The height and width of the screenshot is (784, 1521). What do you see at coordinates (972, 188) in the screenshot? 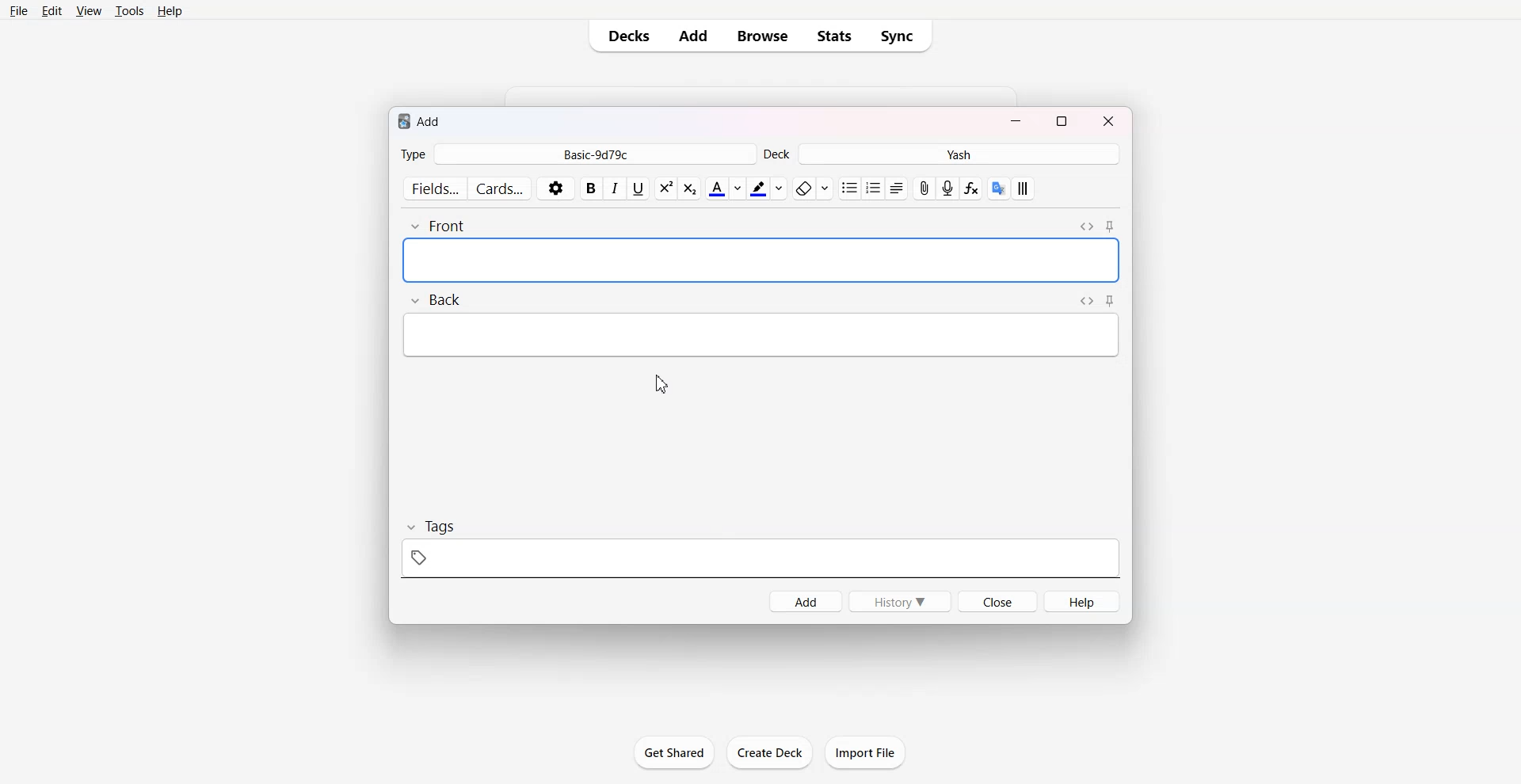
I see `Equation` at bounding box center [972, 188].